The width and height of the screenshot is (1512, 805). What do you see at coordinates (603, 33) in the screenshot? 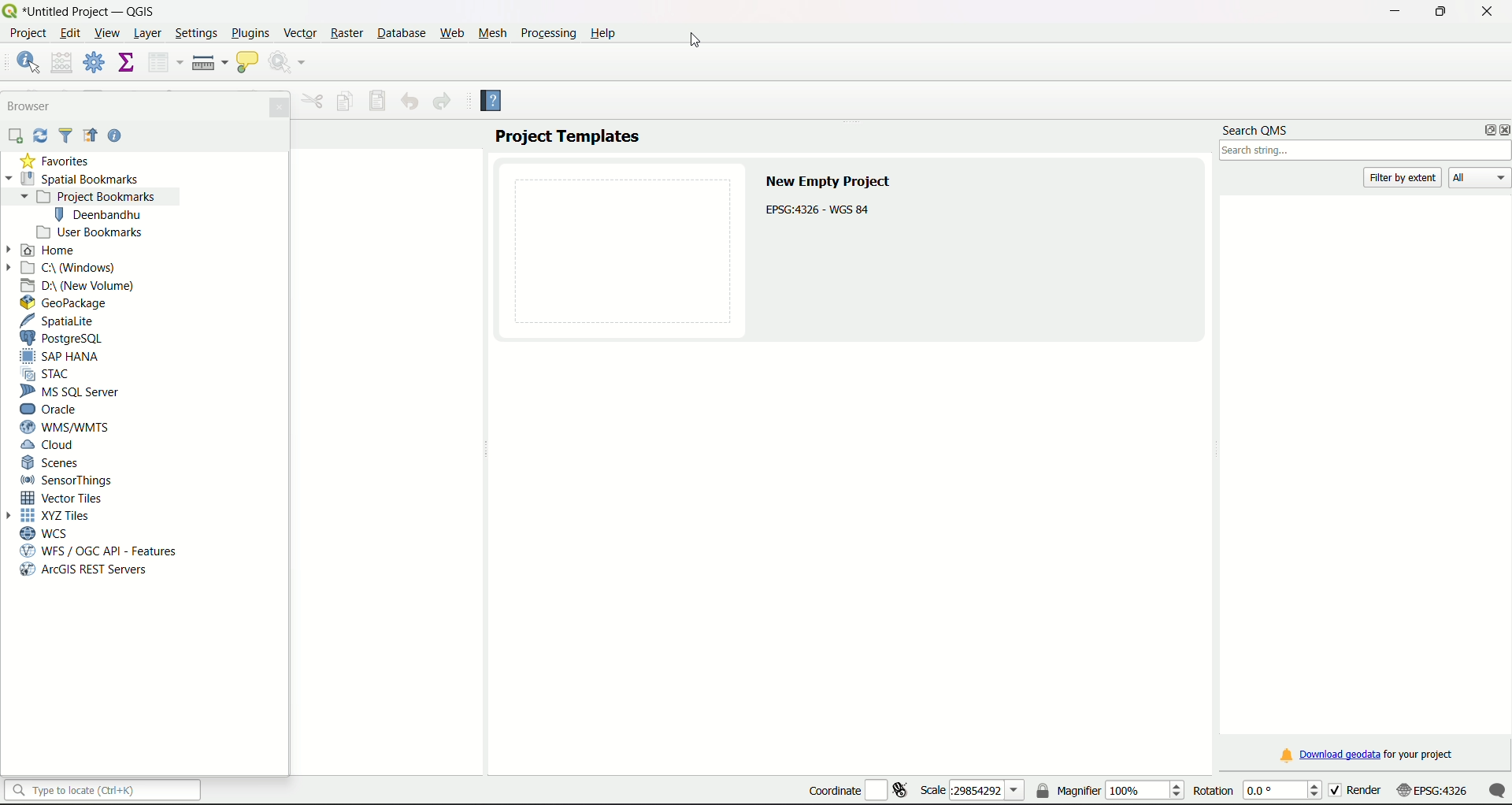
I see `Help` at bounding box center [603, 33].